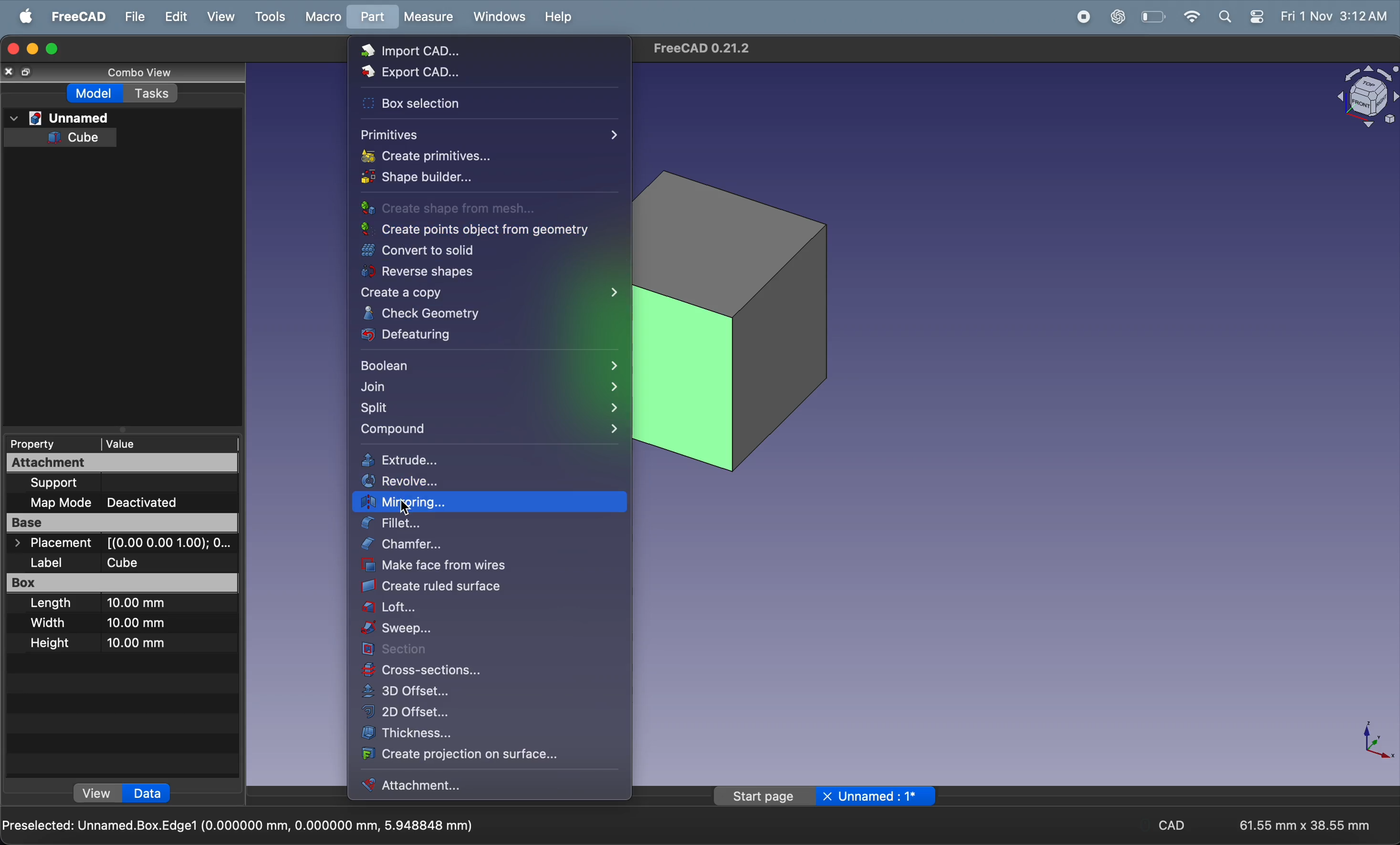  I want to click on settings, so click(1254, 17).